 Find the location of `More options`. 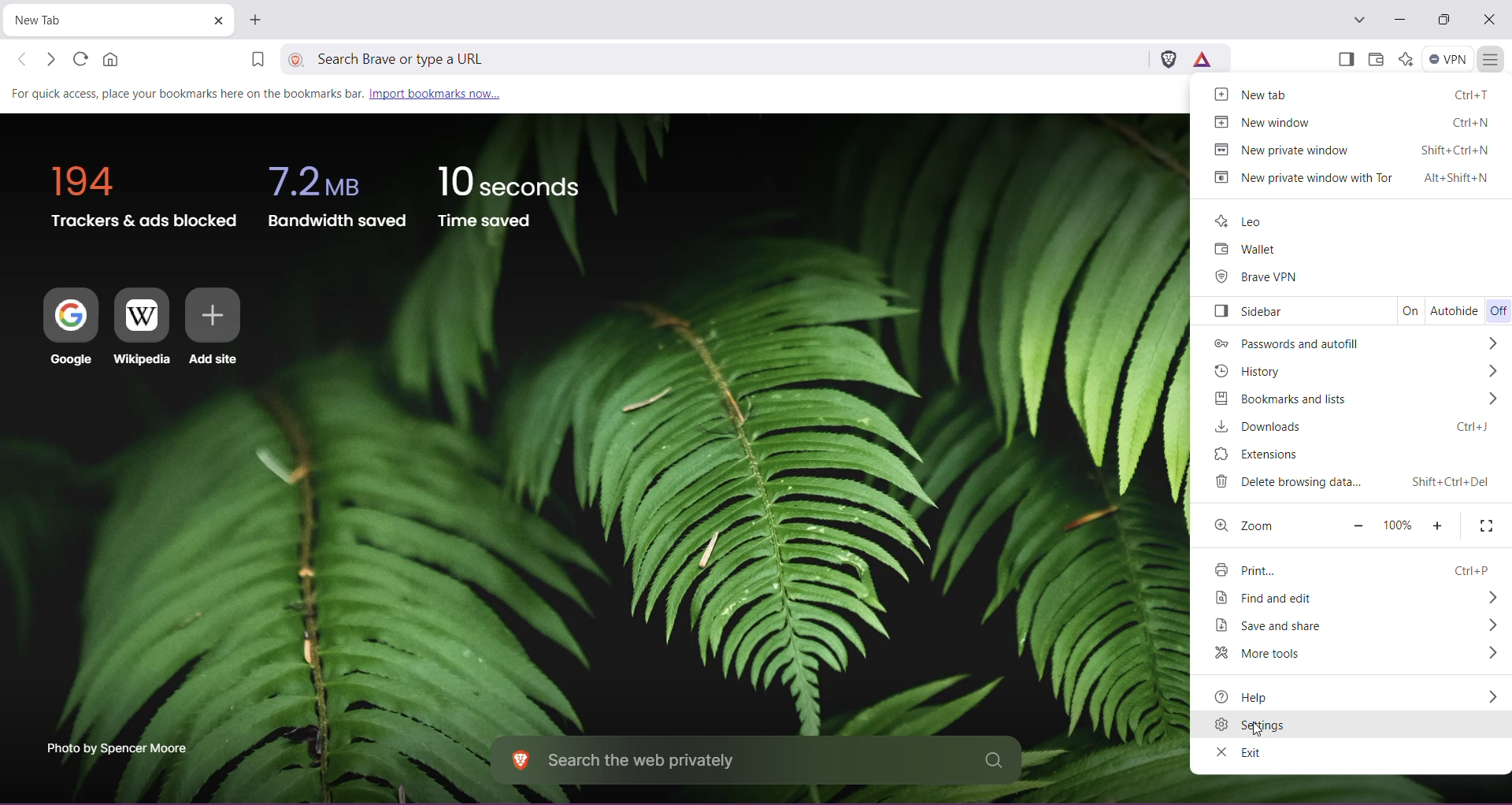

More options is located at coordinates (1488, 625).